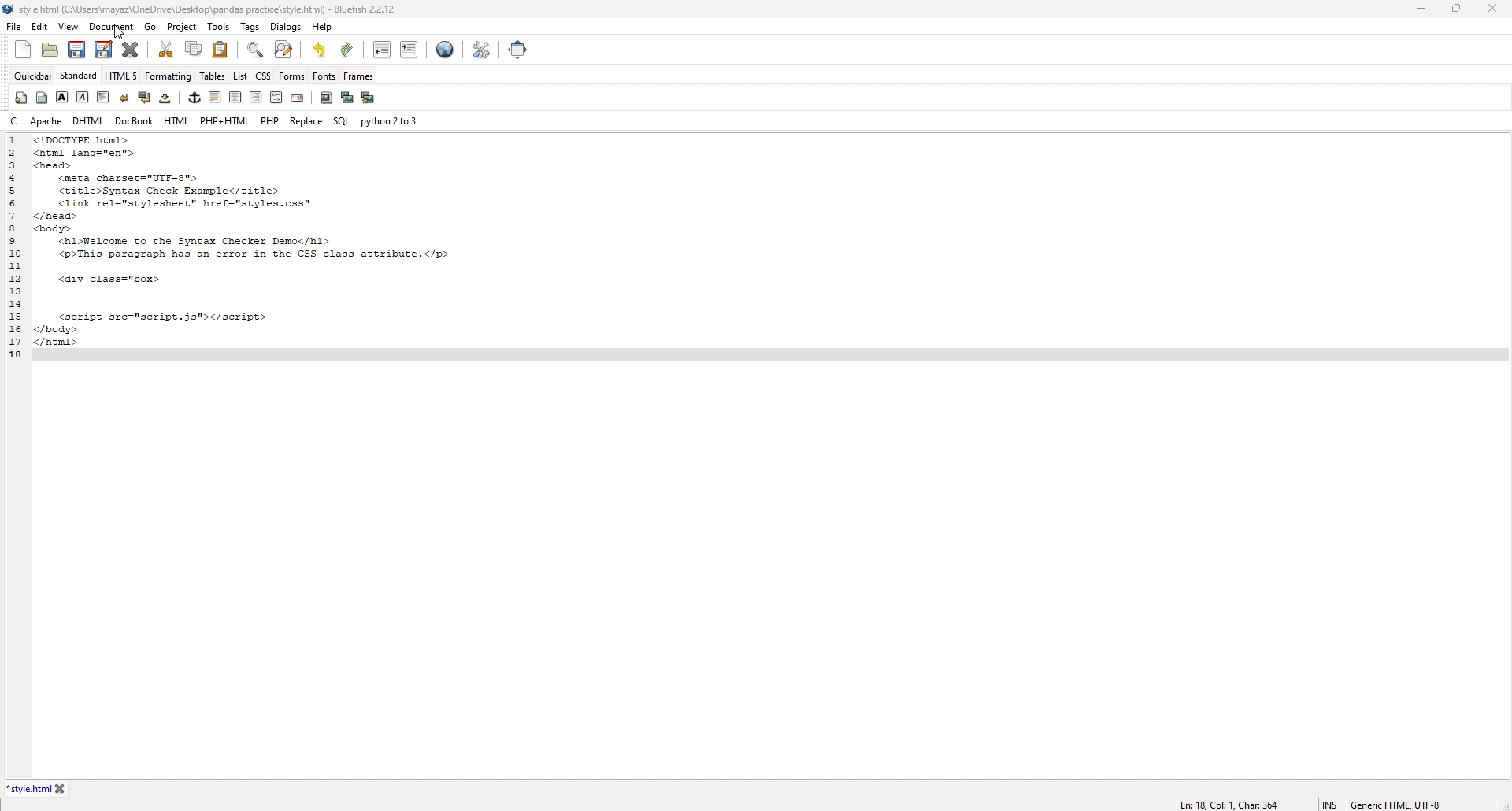 The image size is (1512, 811). I want to click on GIES Bs
tml lang="en”>
cad>
<meta charset="UTE-8">
<title>Syntax Check Example</title>
<link rel=vstyleshest” href="styles.css”
head>
ody>
<hl>Welcome to the Syntax Checker Demo</hl>
<p>This paragraph has an error in the CSS class atcribute.</p>
<div class="box>
<script src="script.3st></script>
body>
html>, so click(247, 243).